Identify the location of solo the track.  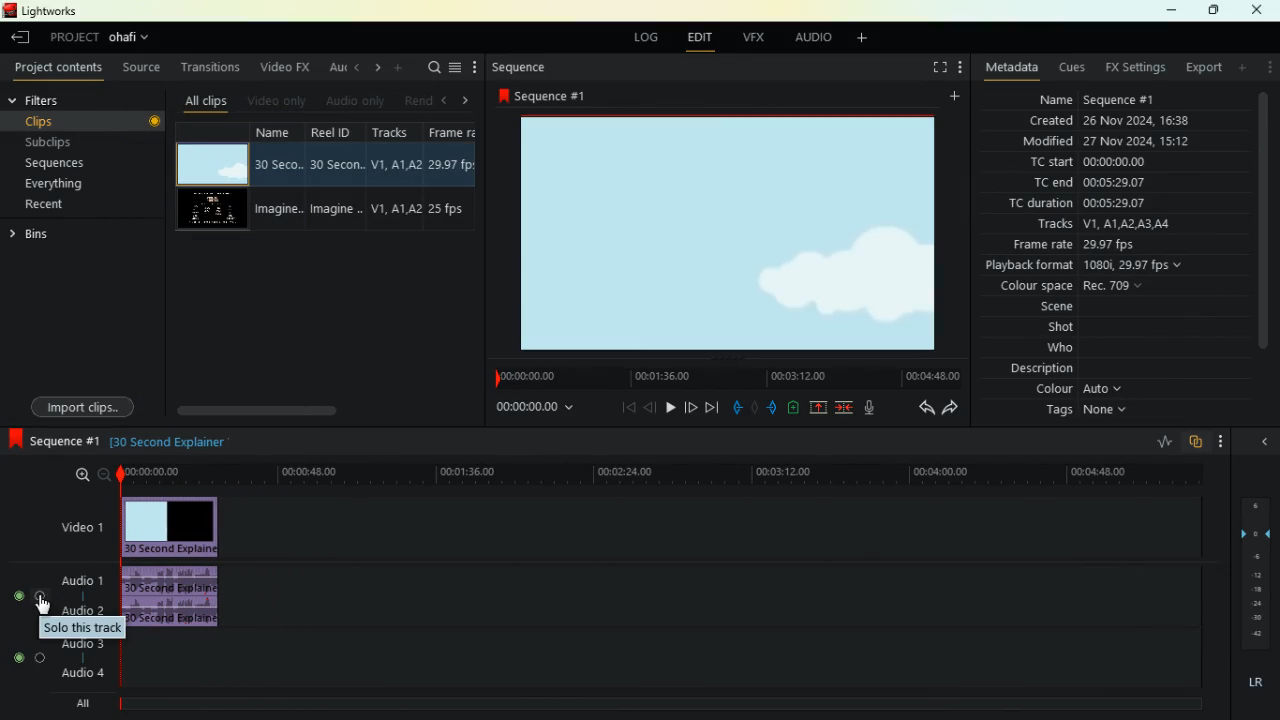
(81, 627).